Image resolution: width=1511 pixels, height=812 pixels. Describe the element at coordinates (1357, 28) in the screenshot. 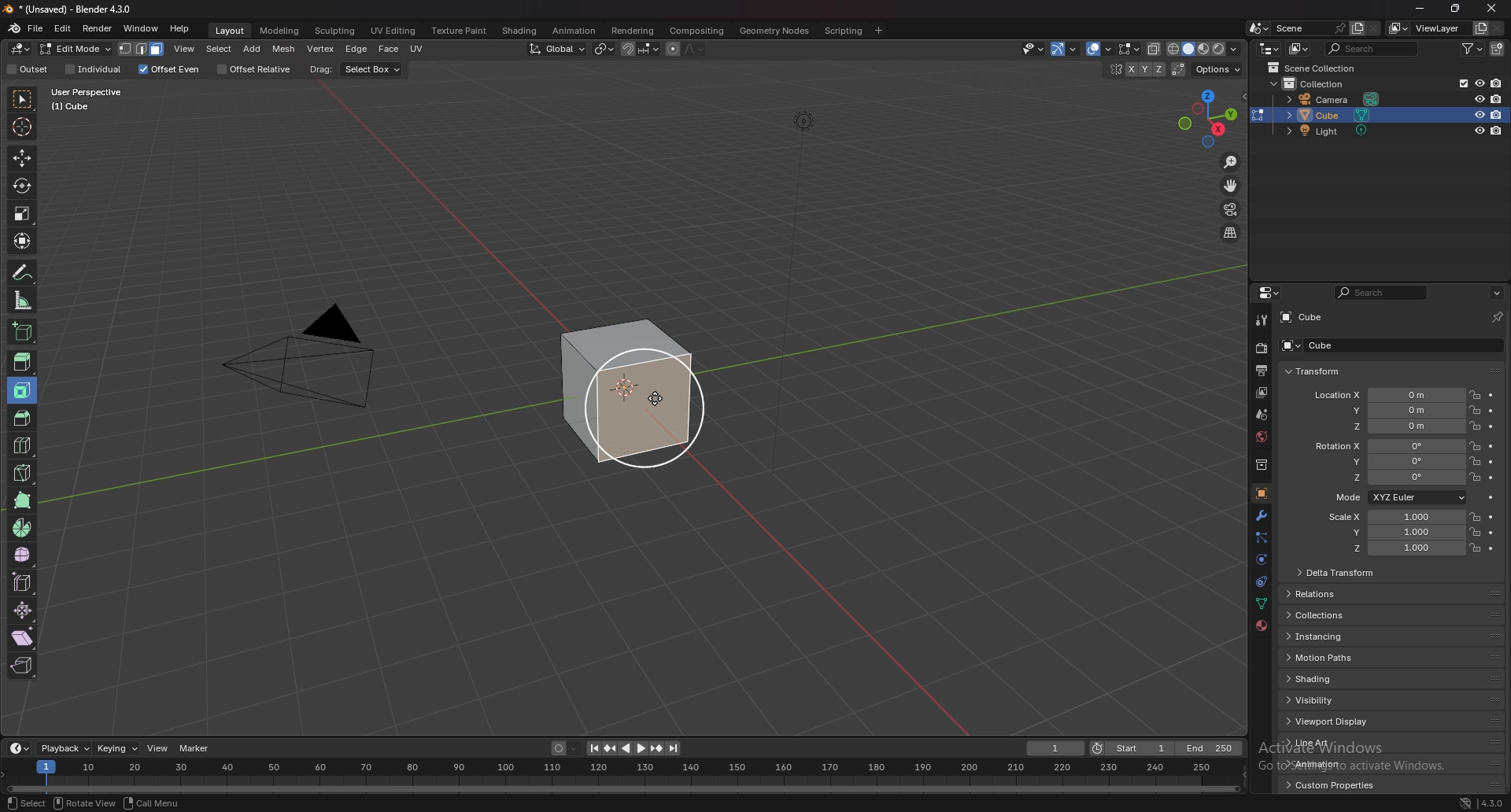

I see `add scene` at that location.